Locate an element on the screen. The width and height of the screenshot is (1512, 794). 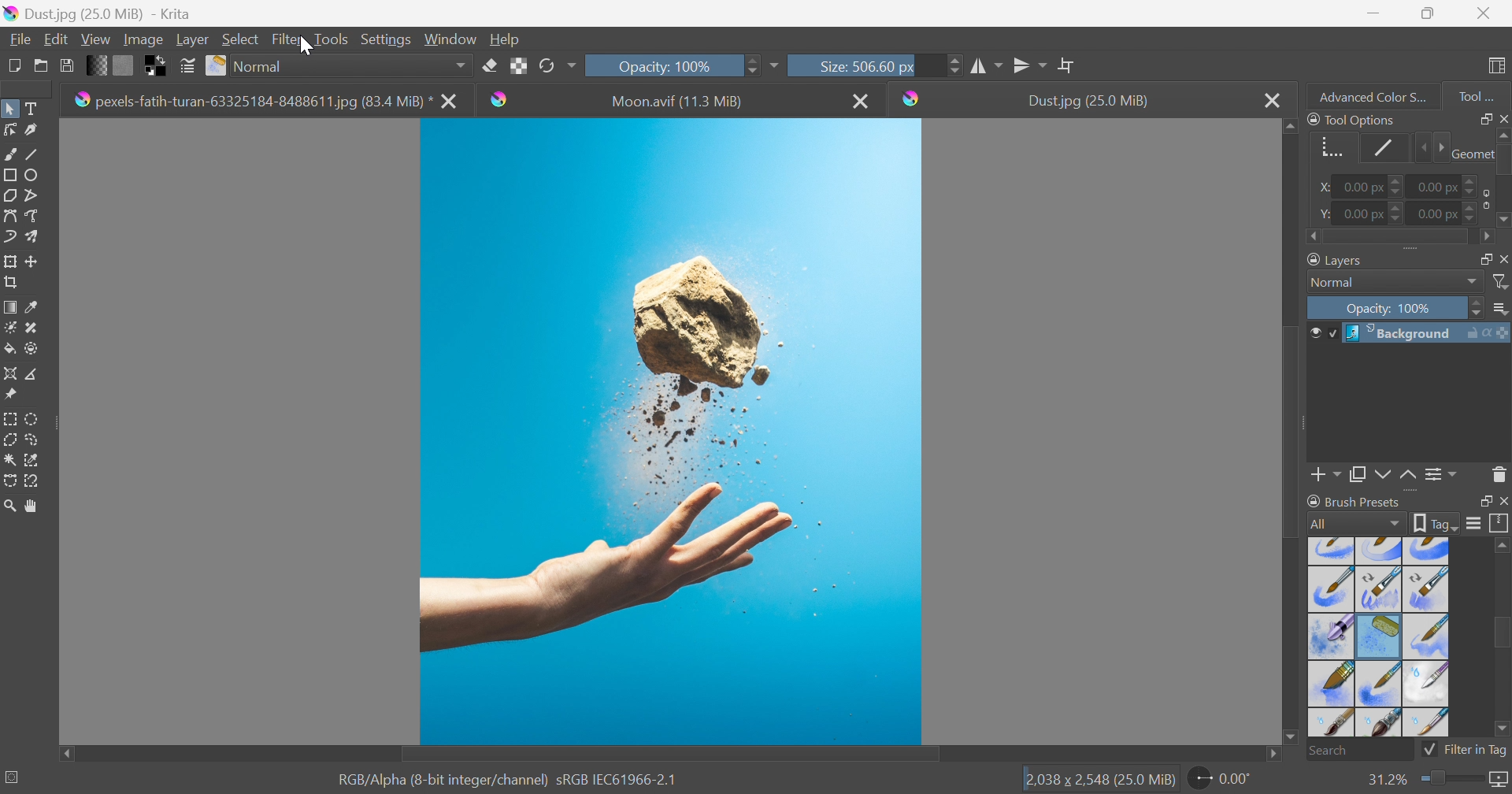
Slider is located at coordinates (1398, 187).